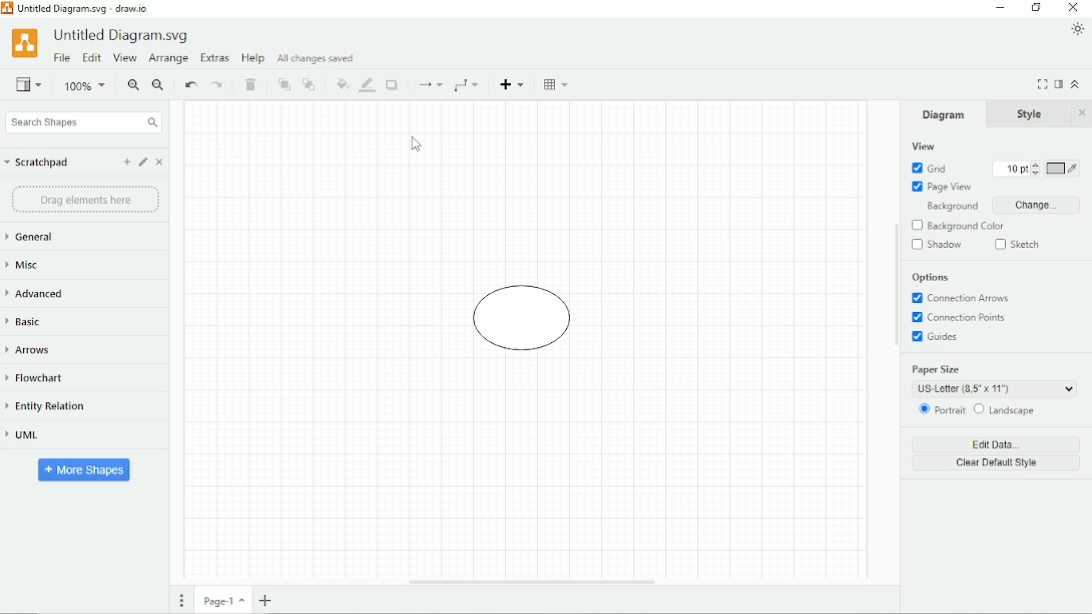  What do you see at coordinates (941, 186) in the screenshot?
I see `Page View` at bounding box center [941, 186].